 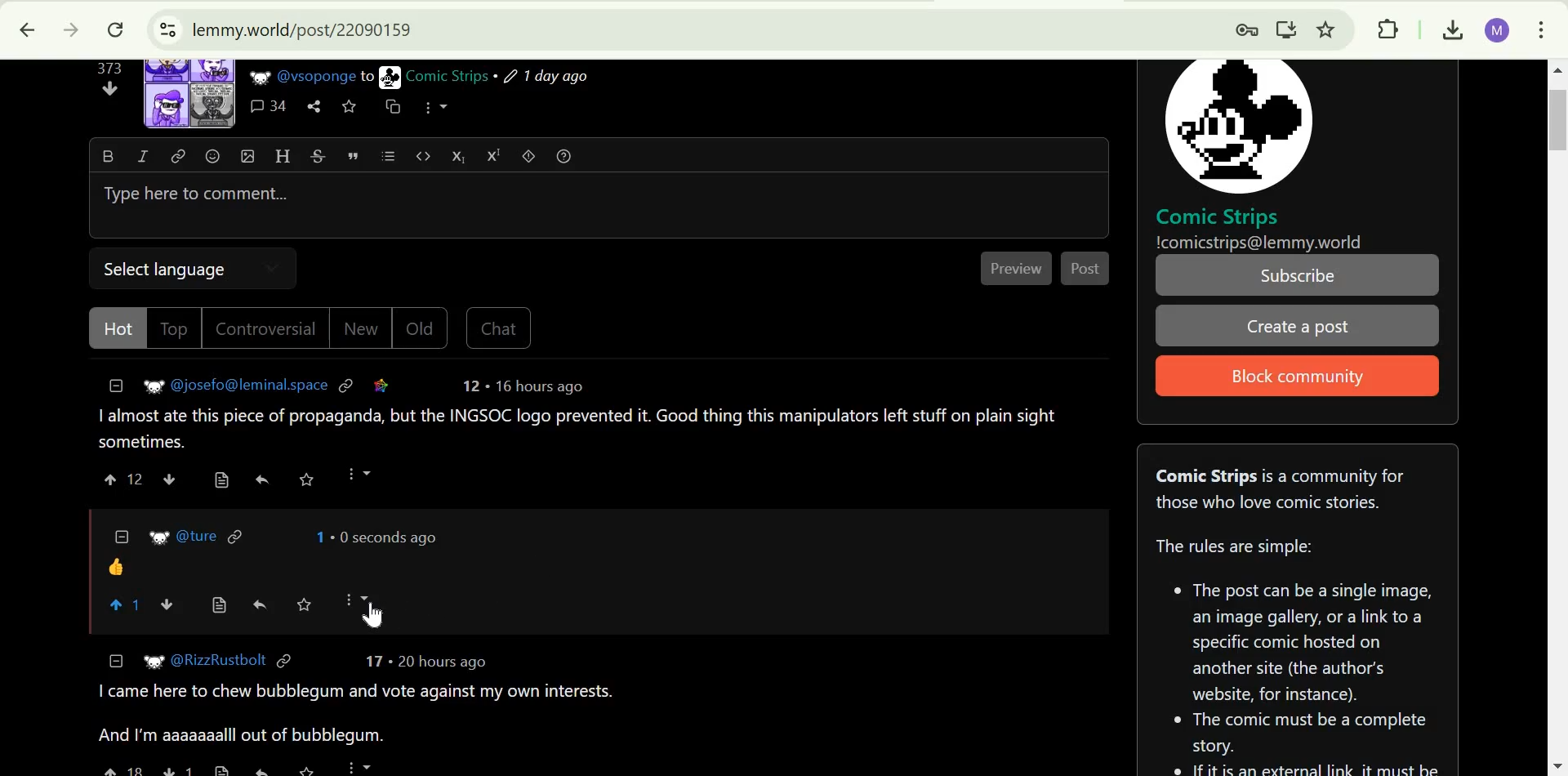 I want to click on Top, so click(x=176, y=328).